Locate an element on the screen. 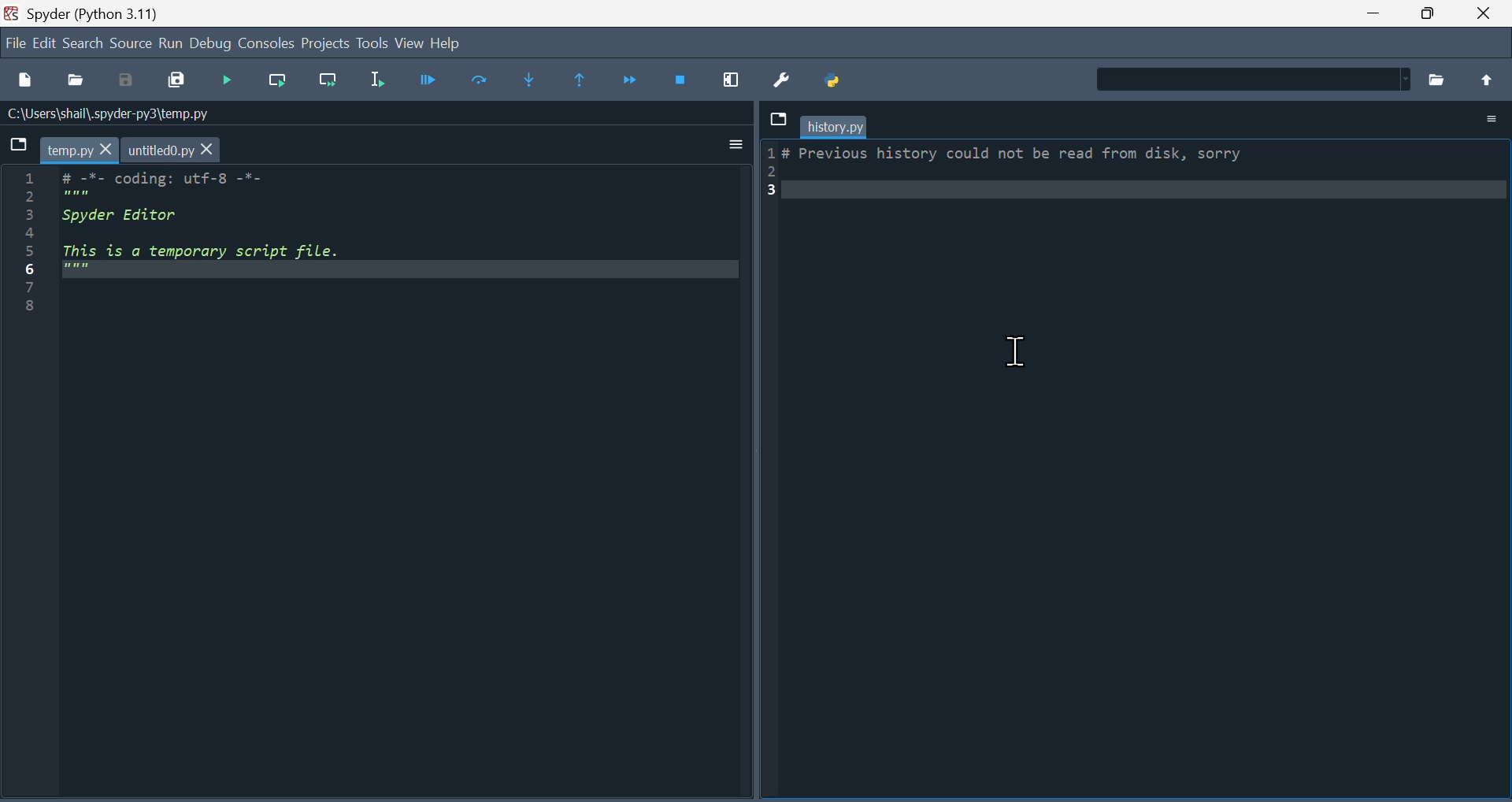 The width and height of the screenshot is (1512, 802).  text Cursor is located at coordinates (1016, 354).